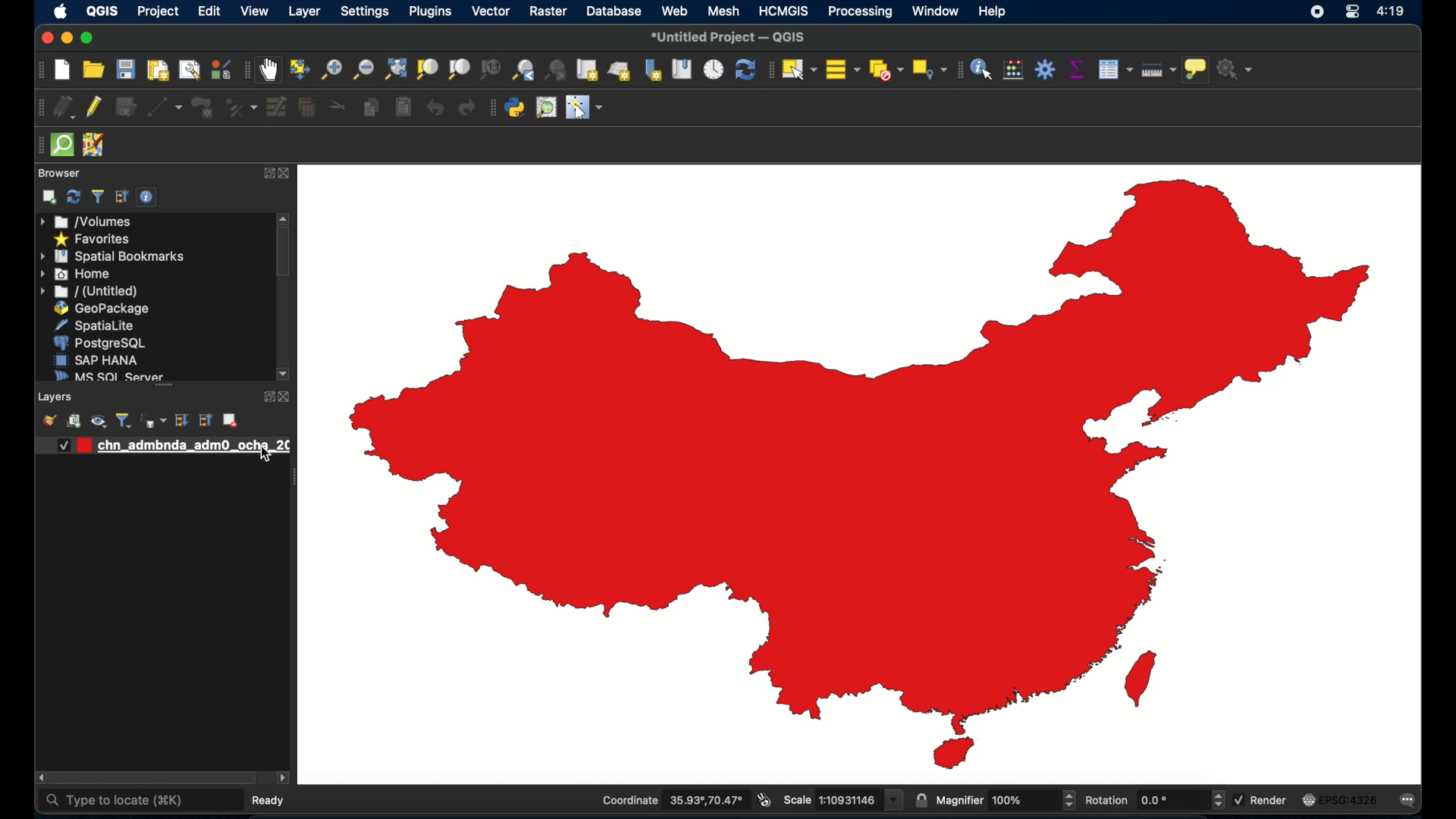 The width and height of the screenshot is (1456, 819). Describe the element at coordinates (673, 800) in the screenshot. I see `Coordinate 35.93°,70.47°` at that location.